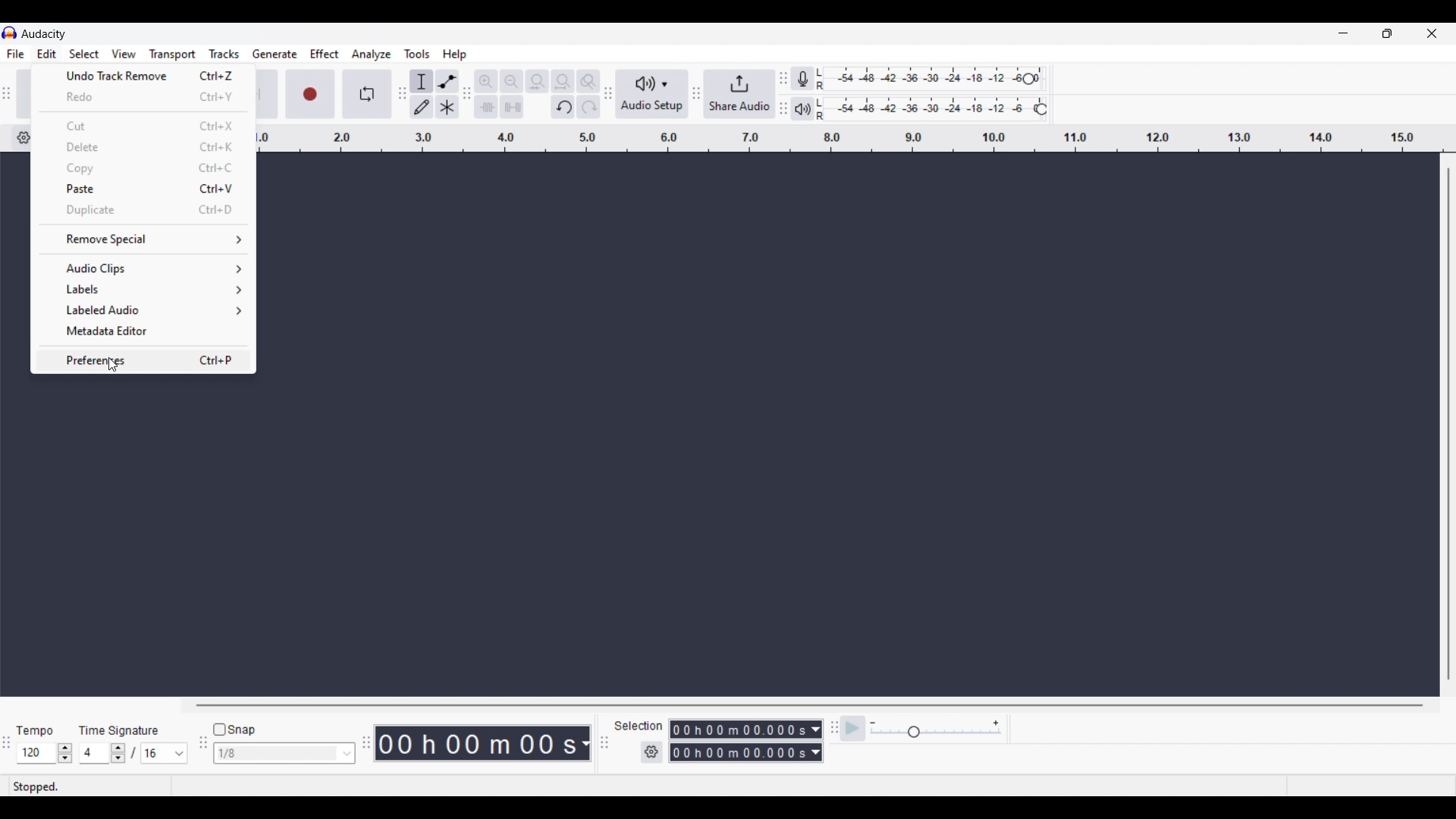 The image size is (1456, 819). Describe the element at coordinates (372, 54) in the screenshot. I see `Analyze menu` at that location.